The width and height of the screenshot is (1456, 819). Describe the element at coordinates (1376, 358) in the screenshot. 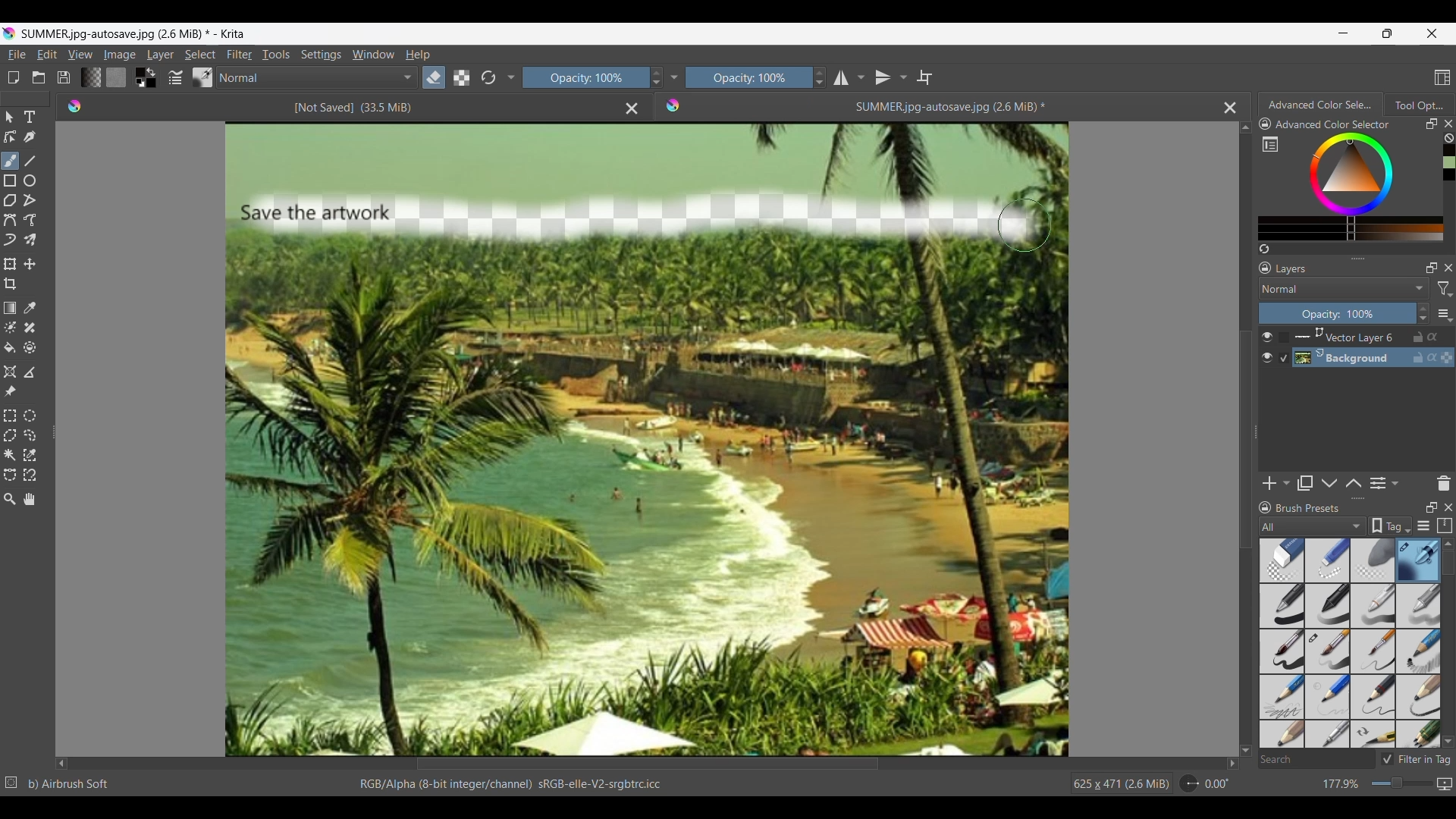

I see `Background` at that location.